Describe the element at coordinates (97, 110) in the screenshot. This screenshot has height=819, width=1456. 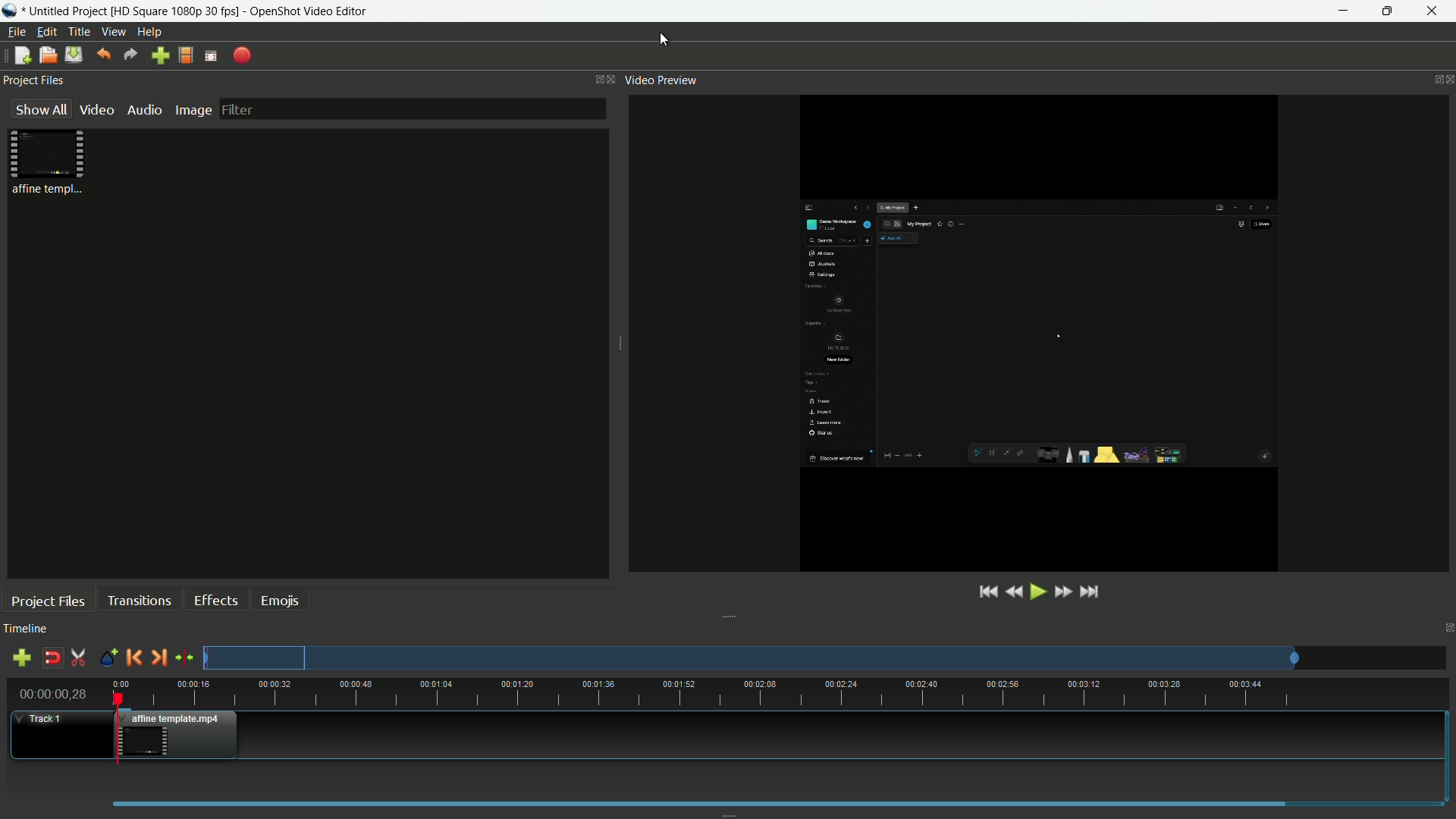
I see `video` at that location.